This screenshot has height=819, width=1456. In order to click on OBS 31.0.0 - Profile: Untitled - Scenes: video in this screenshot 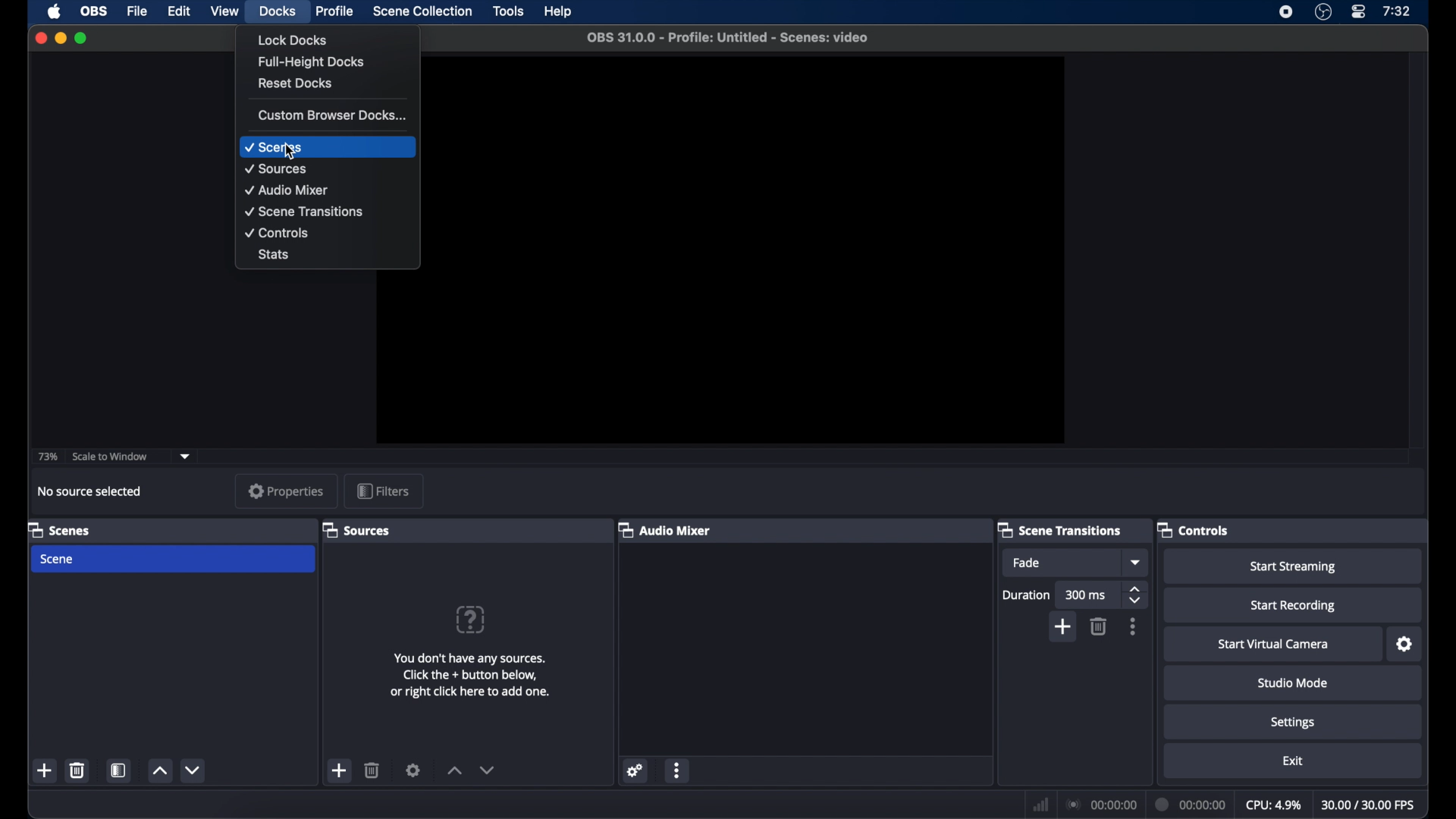, I will do `click(727, 37)`.